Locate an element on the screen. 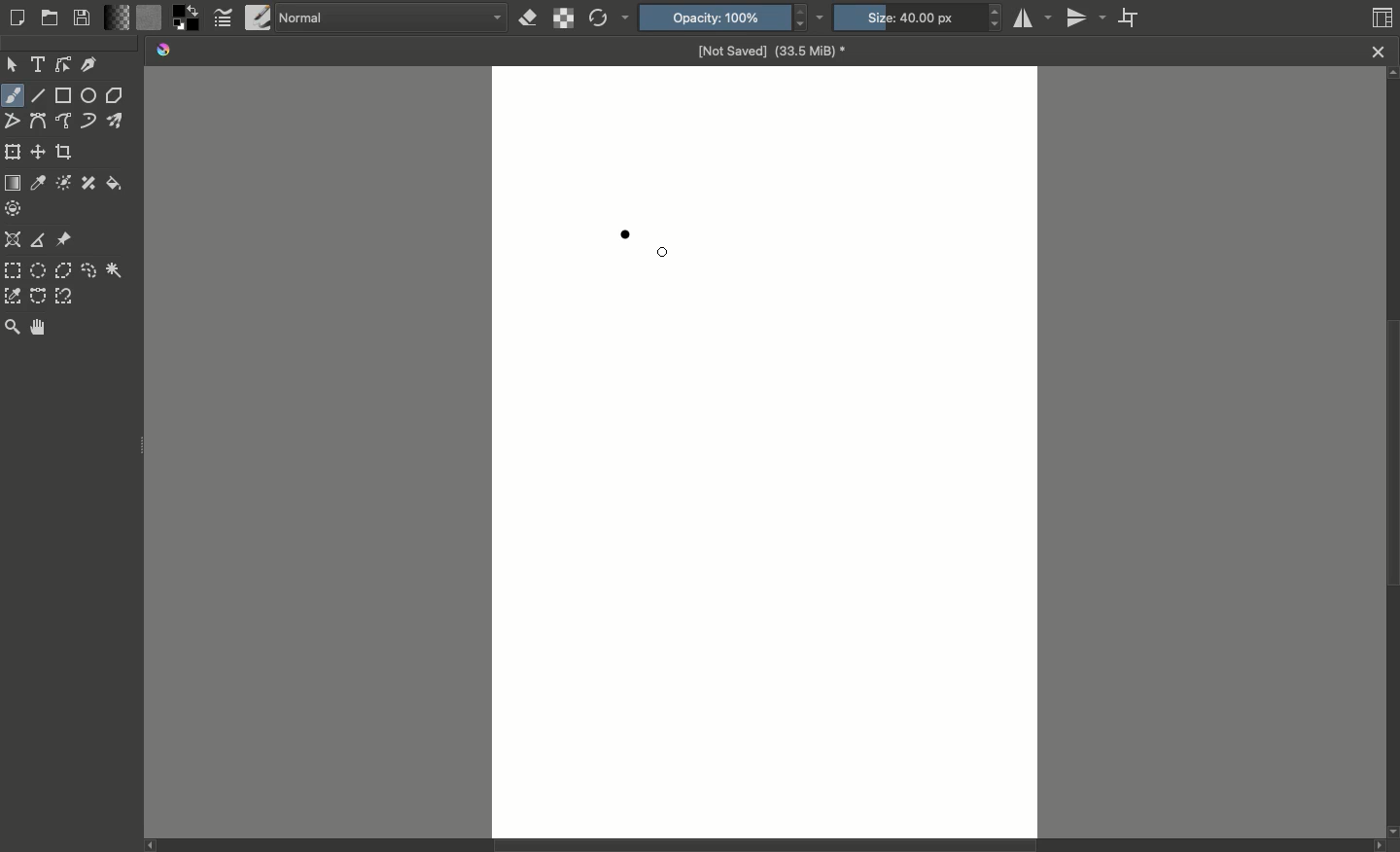 This screenshot has width=1400, height=852. Freehand selection tool is located at coordinates (88, 270).